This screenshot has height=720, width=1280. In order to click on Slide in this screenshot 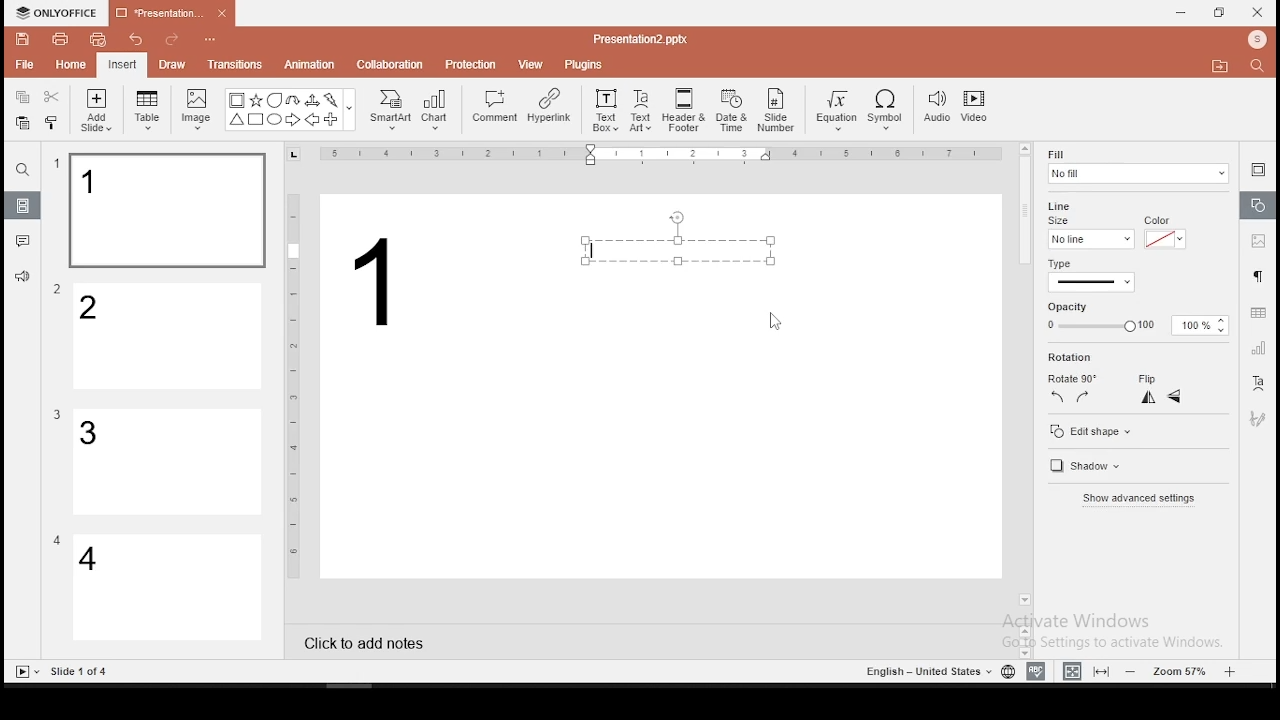, I will do `click(23, 672)`.